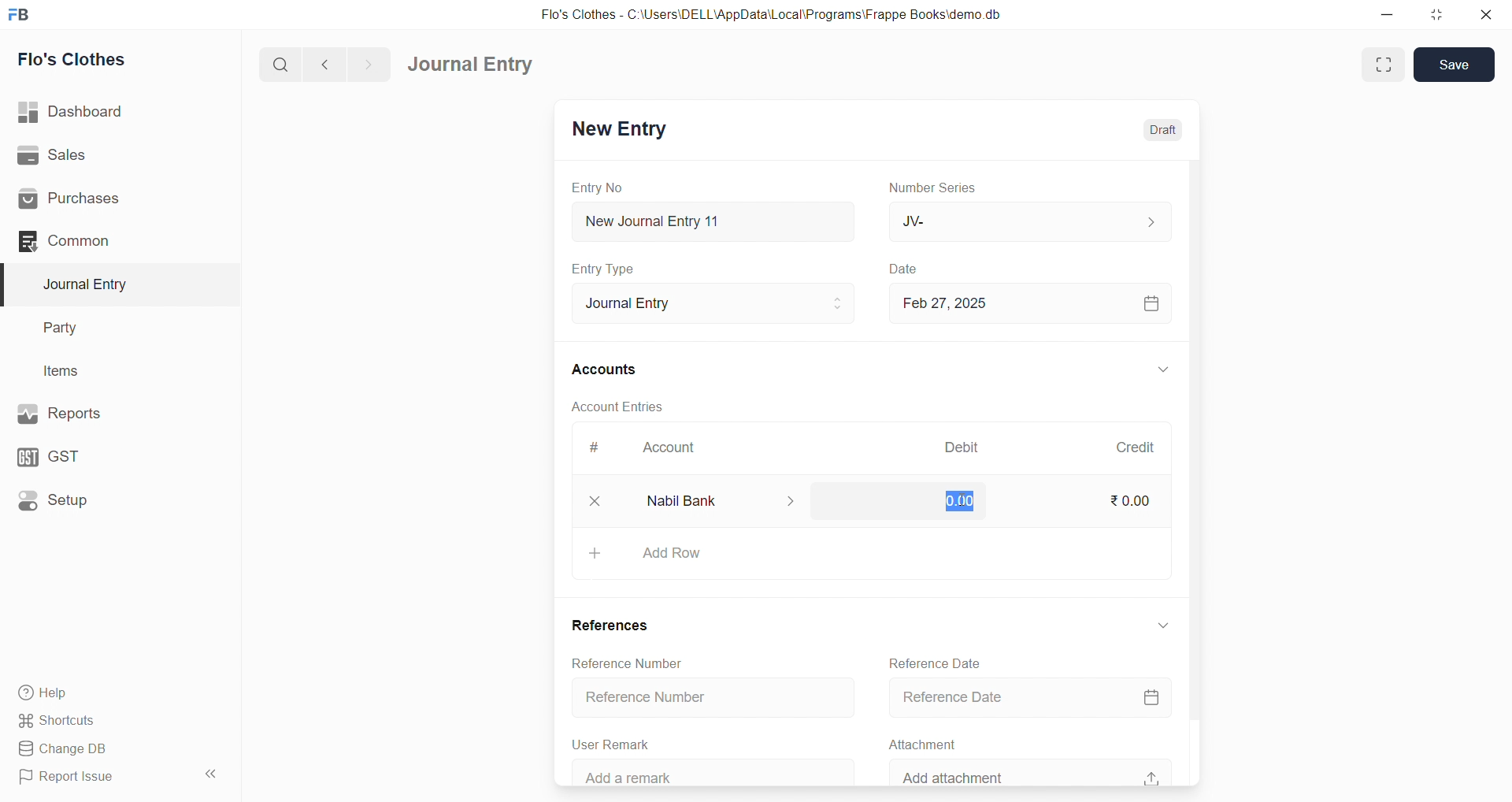  Describe the element at coordinates (594, 501) in the screenshot. I see `close` at that location.